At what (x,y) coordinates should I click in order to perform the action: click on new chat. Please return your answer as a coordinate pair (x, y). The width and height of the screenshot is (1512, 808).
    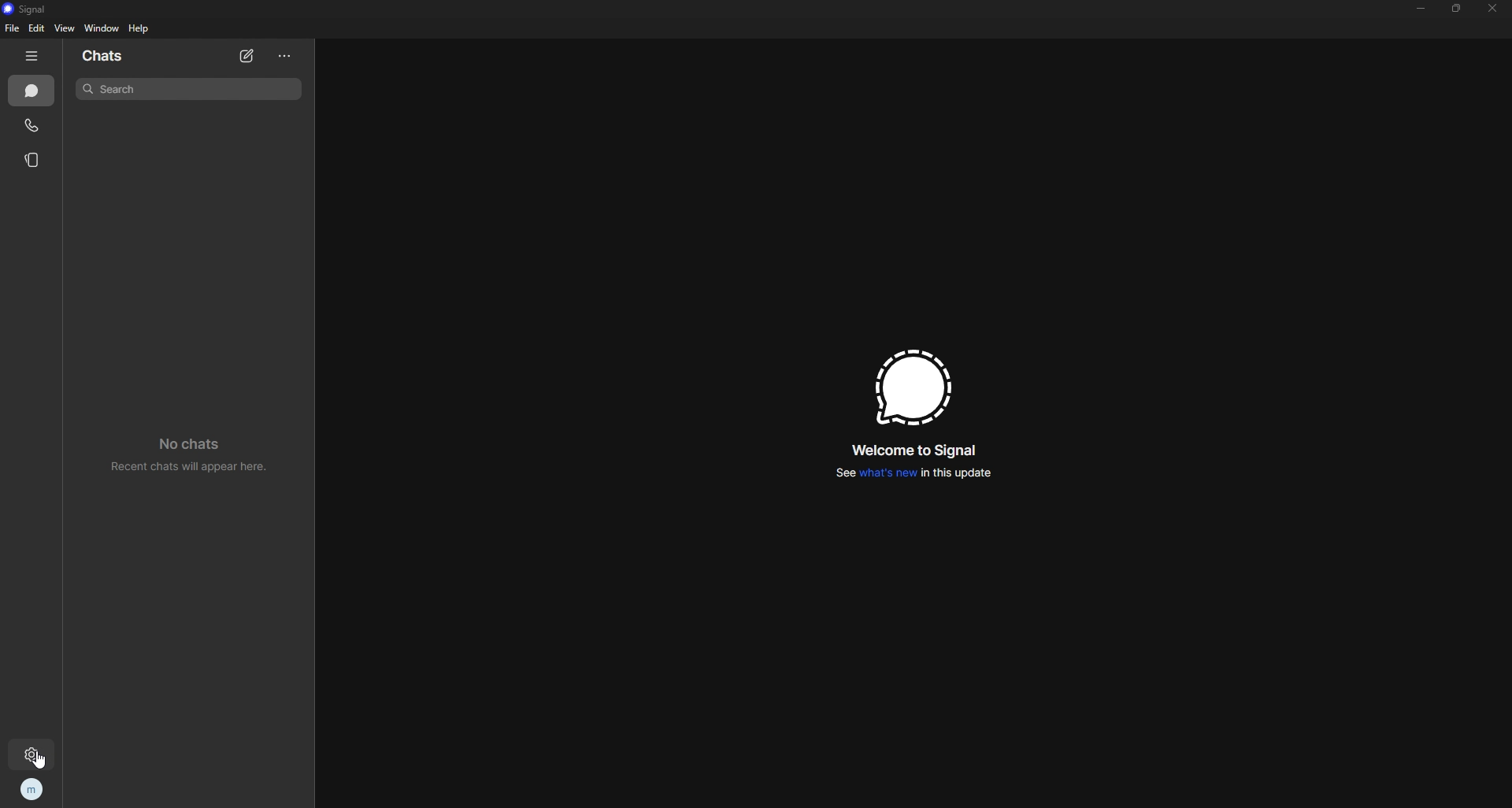
    Looking at the image, I should click on (248, 57).